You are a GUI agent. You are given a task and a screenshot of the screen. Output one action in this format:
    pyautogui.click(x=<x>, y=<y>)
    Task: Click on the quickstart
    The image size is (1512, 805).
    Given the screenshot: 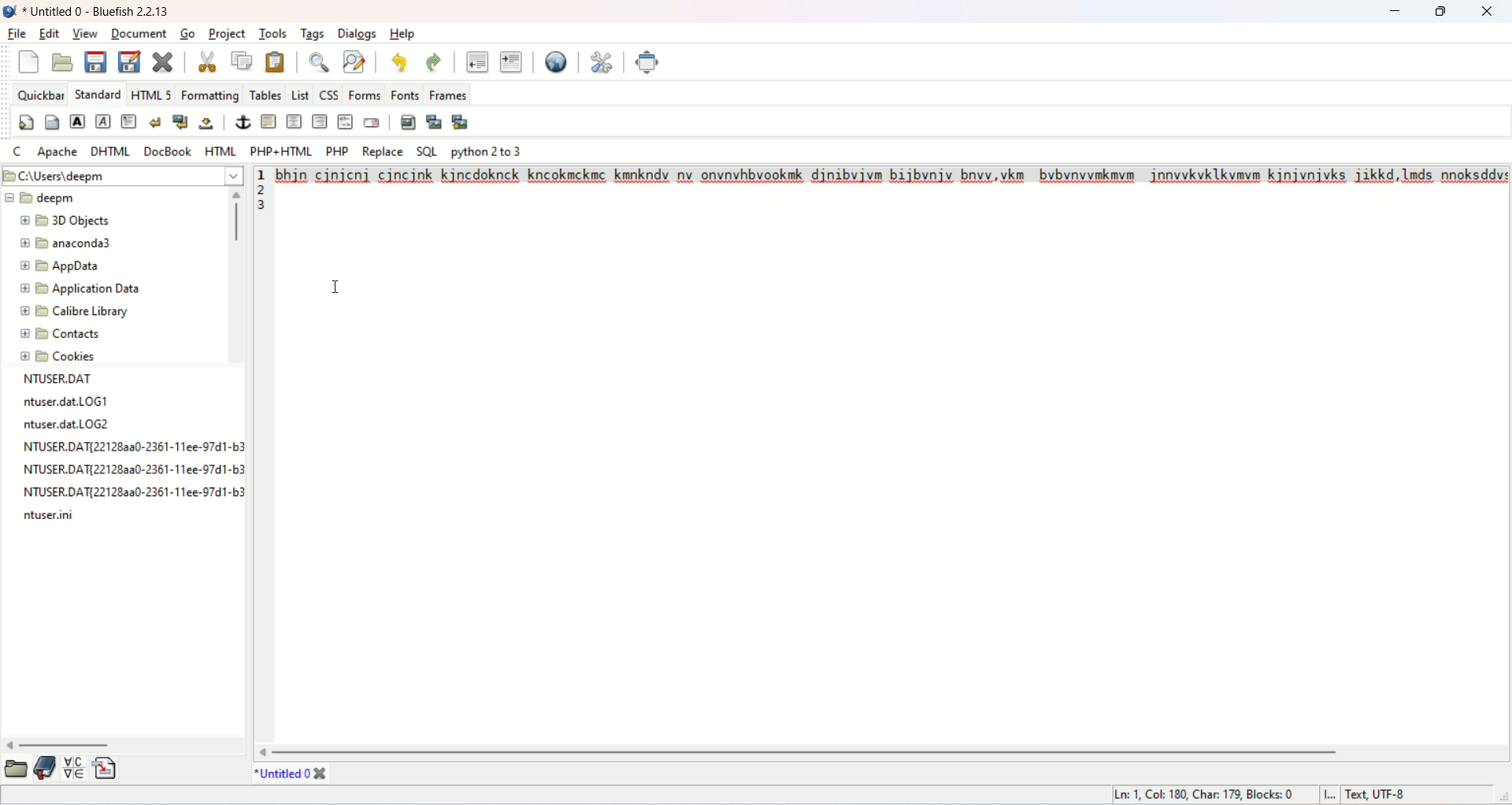 What is the action you would take?
    pyautogui.click(x=25, y=123)
    